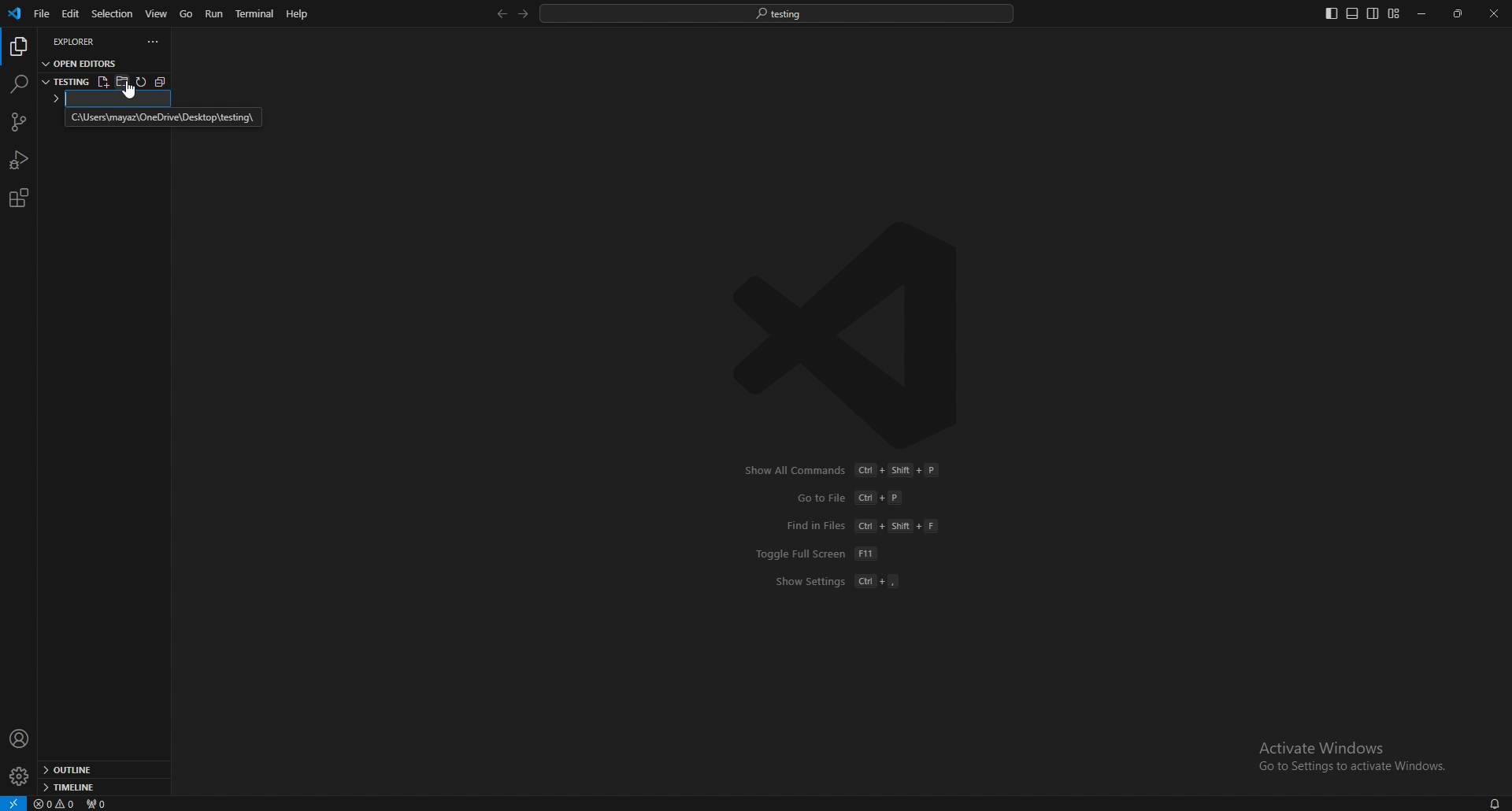 Image resolution: width=1512 pixels, height=811 pixels. What do you see at coordinates (124, 83) in the screenshot?
I see `new folder` at bounding box center [124, 83].